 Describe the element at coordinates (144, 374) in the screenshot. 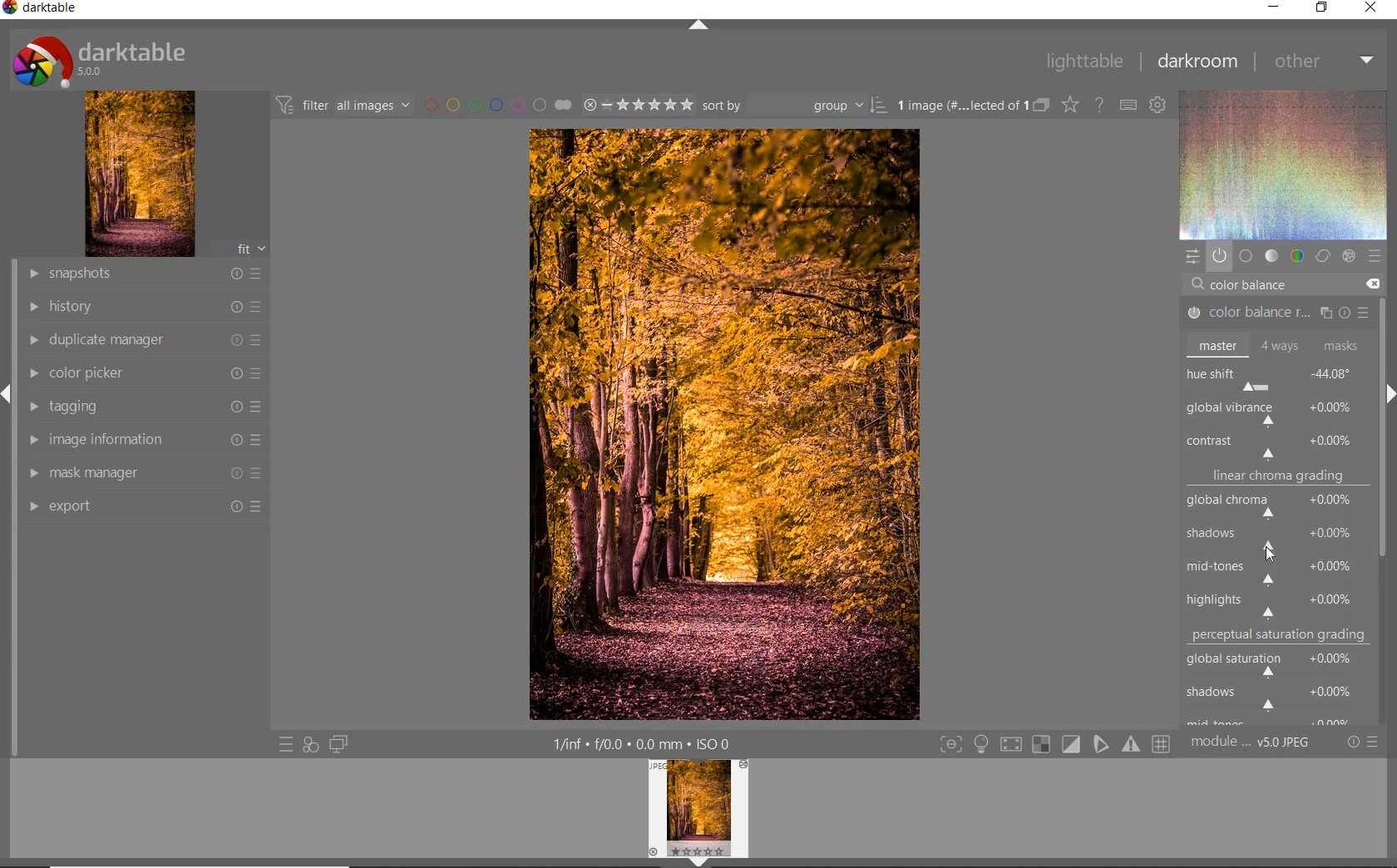

I see `color picker` at that location.